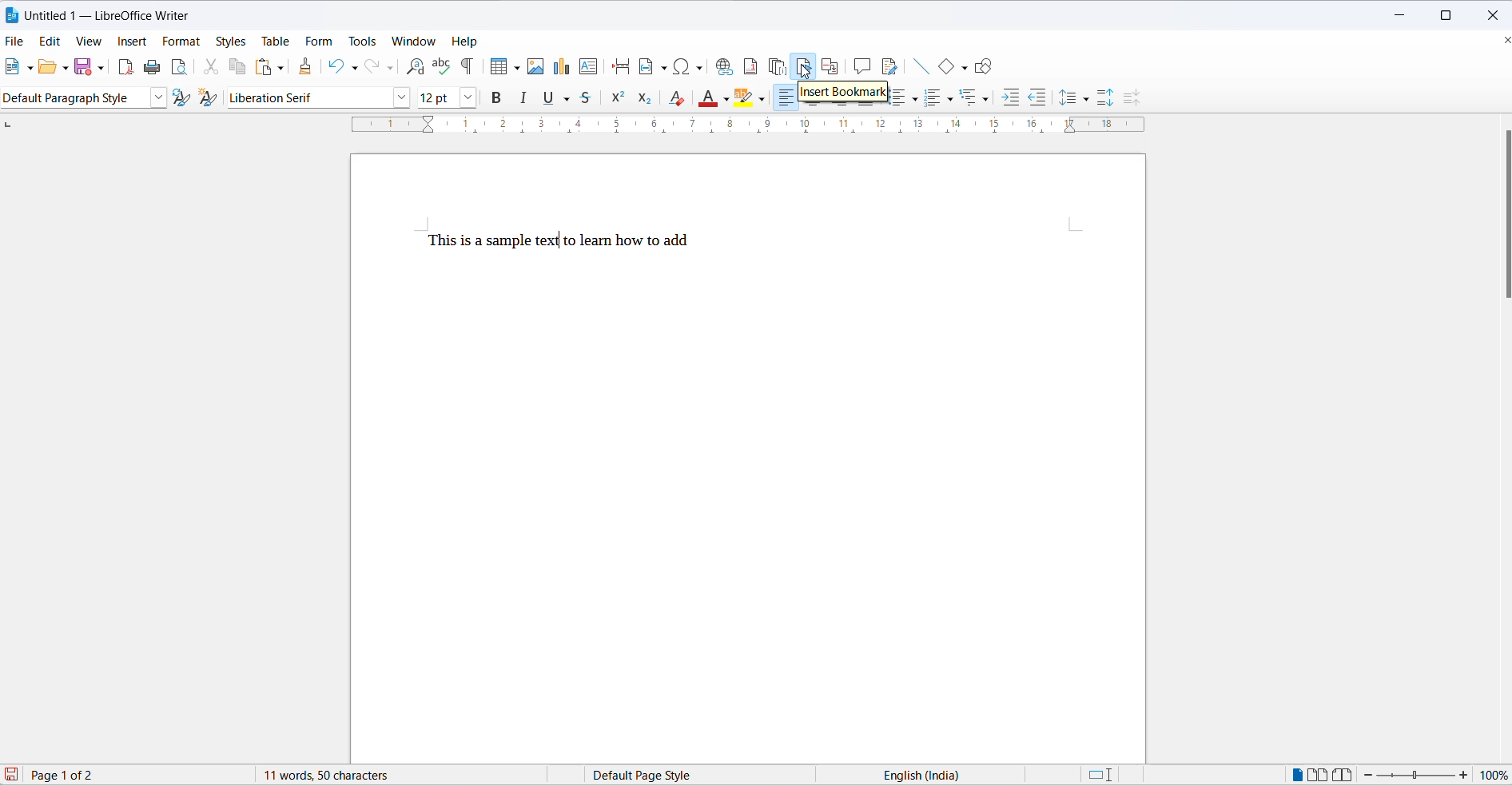  I want to click on bold, so click(496, 98).